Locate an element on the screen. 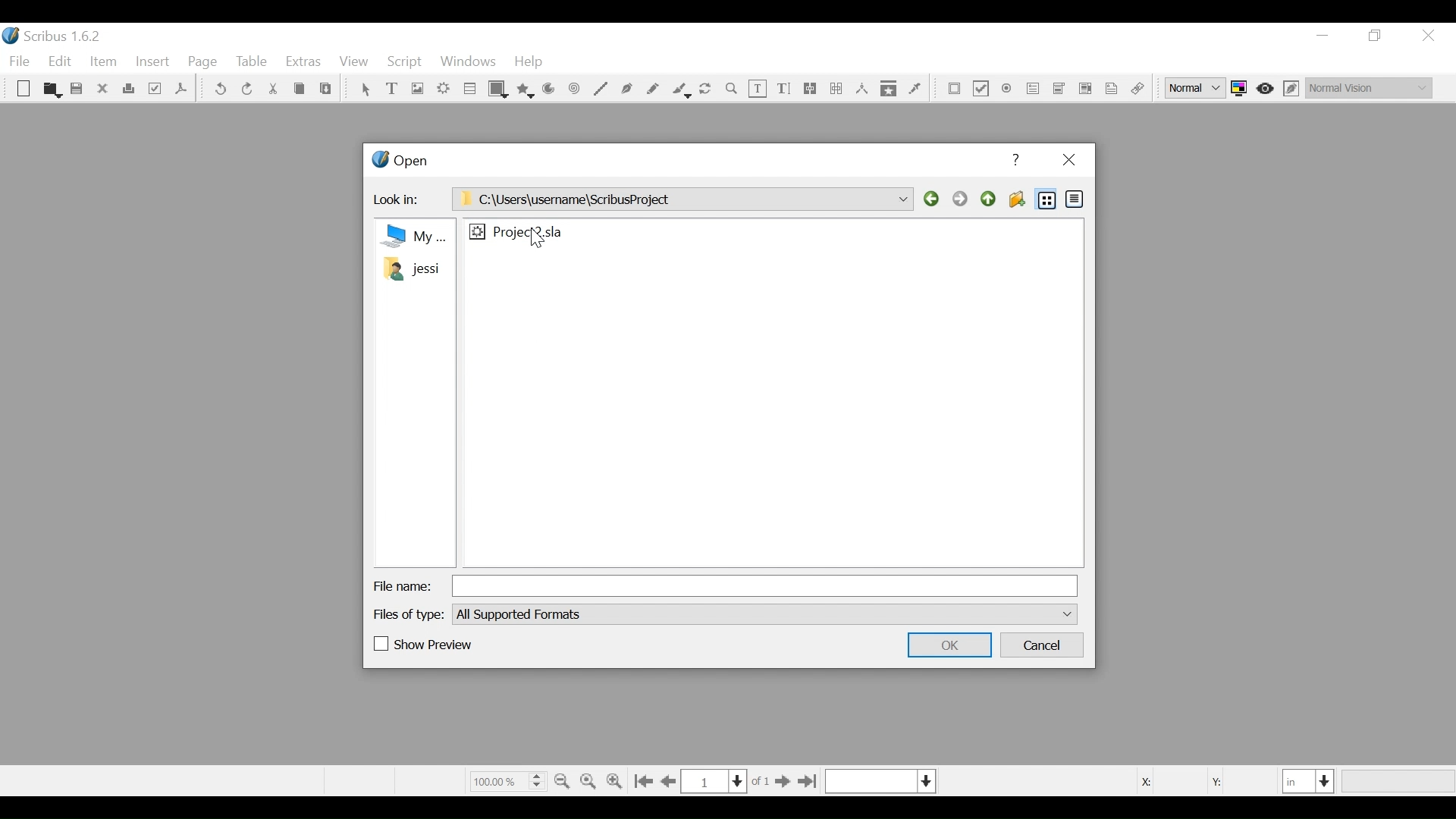 The height and width of the screenshot is (819, 1456). Table is located at coordinates (470, 90).